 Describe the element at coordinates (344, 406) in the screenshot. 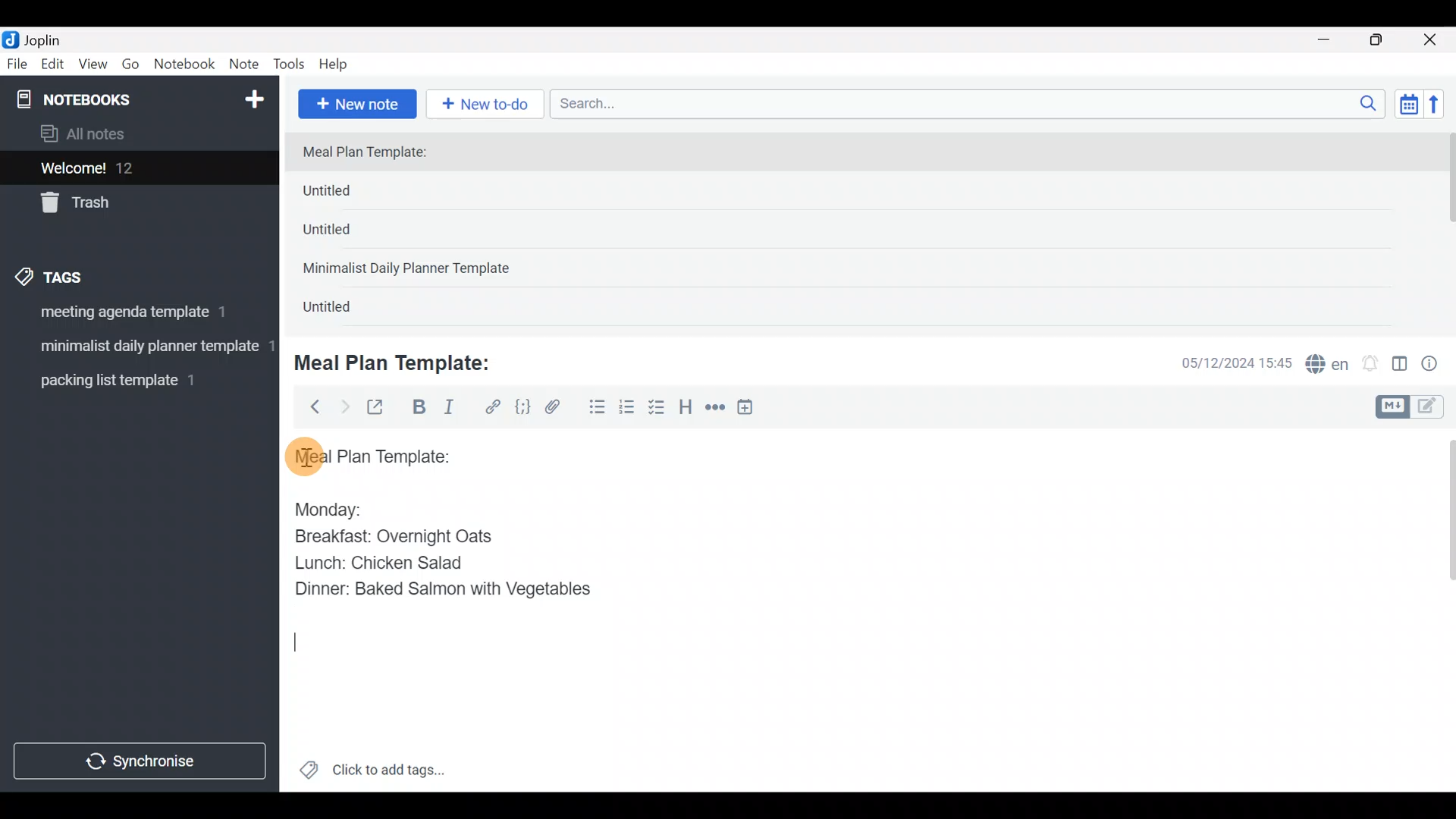

I see `Forward` at that location.